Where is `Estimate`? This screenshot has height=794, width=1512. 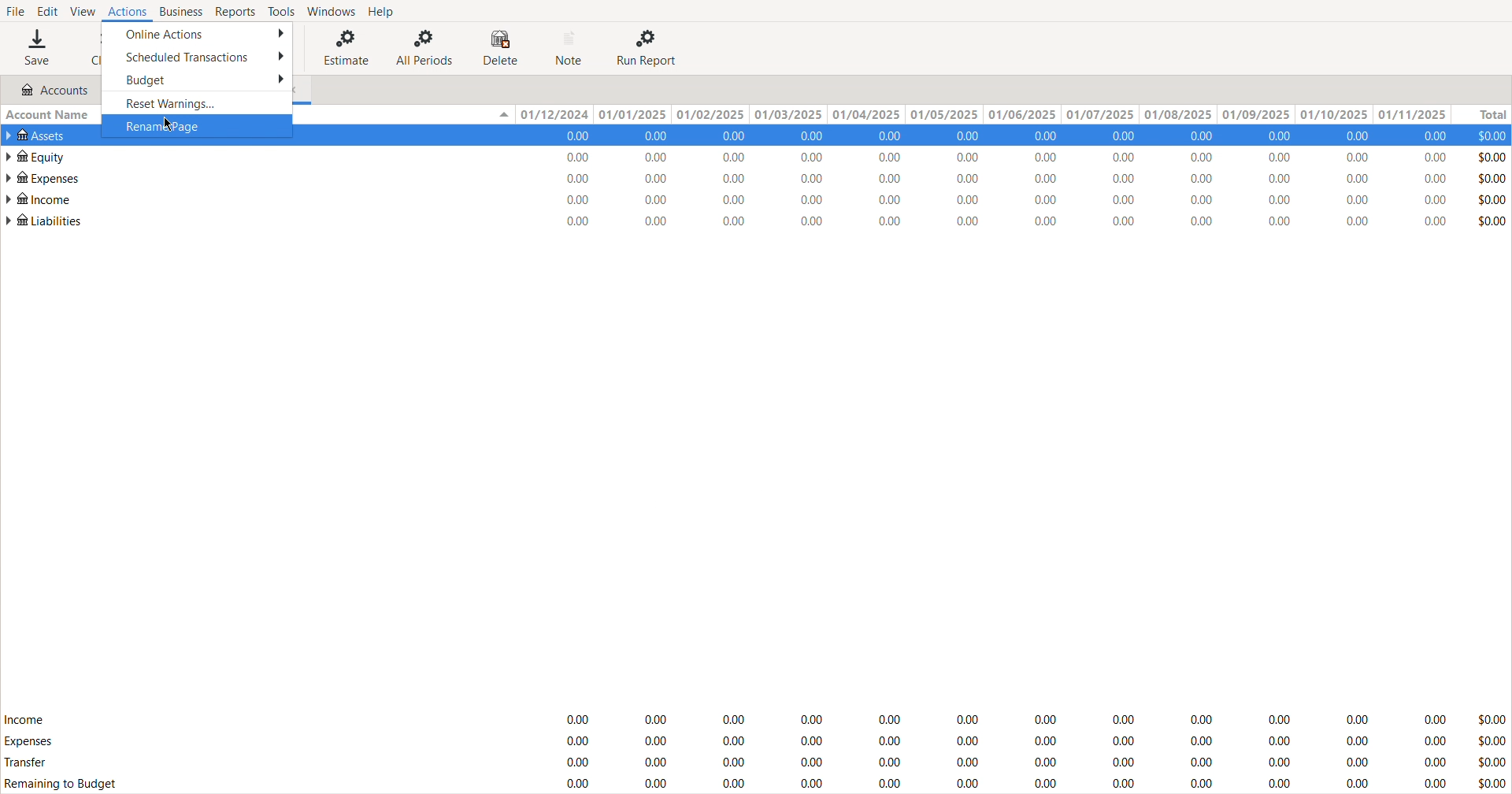 Estimate is located at coordinates (343, 47).